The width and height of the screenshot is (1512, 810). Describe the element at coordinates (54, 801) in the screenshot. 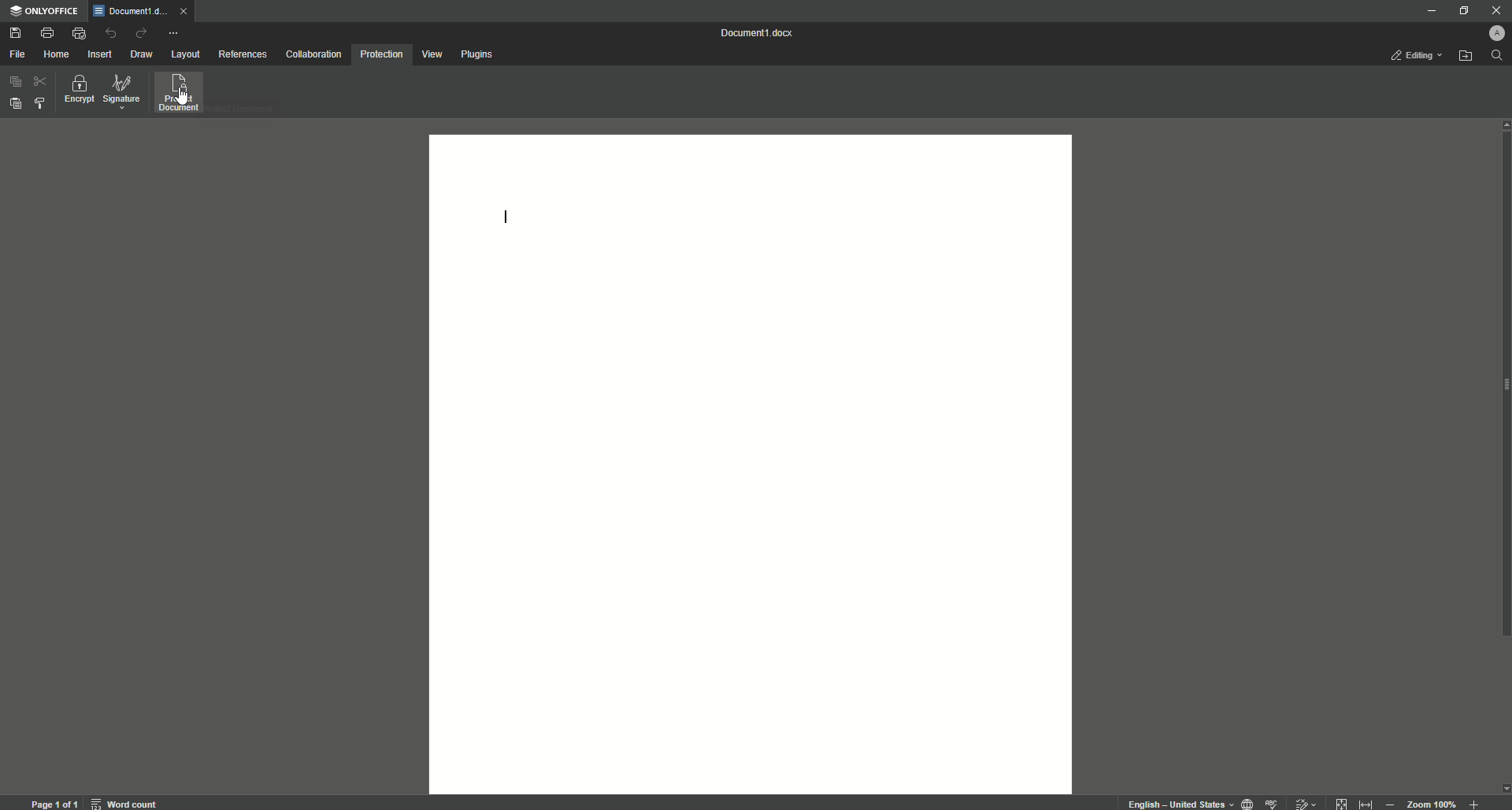

I see `page 1 of 1` at that location.